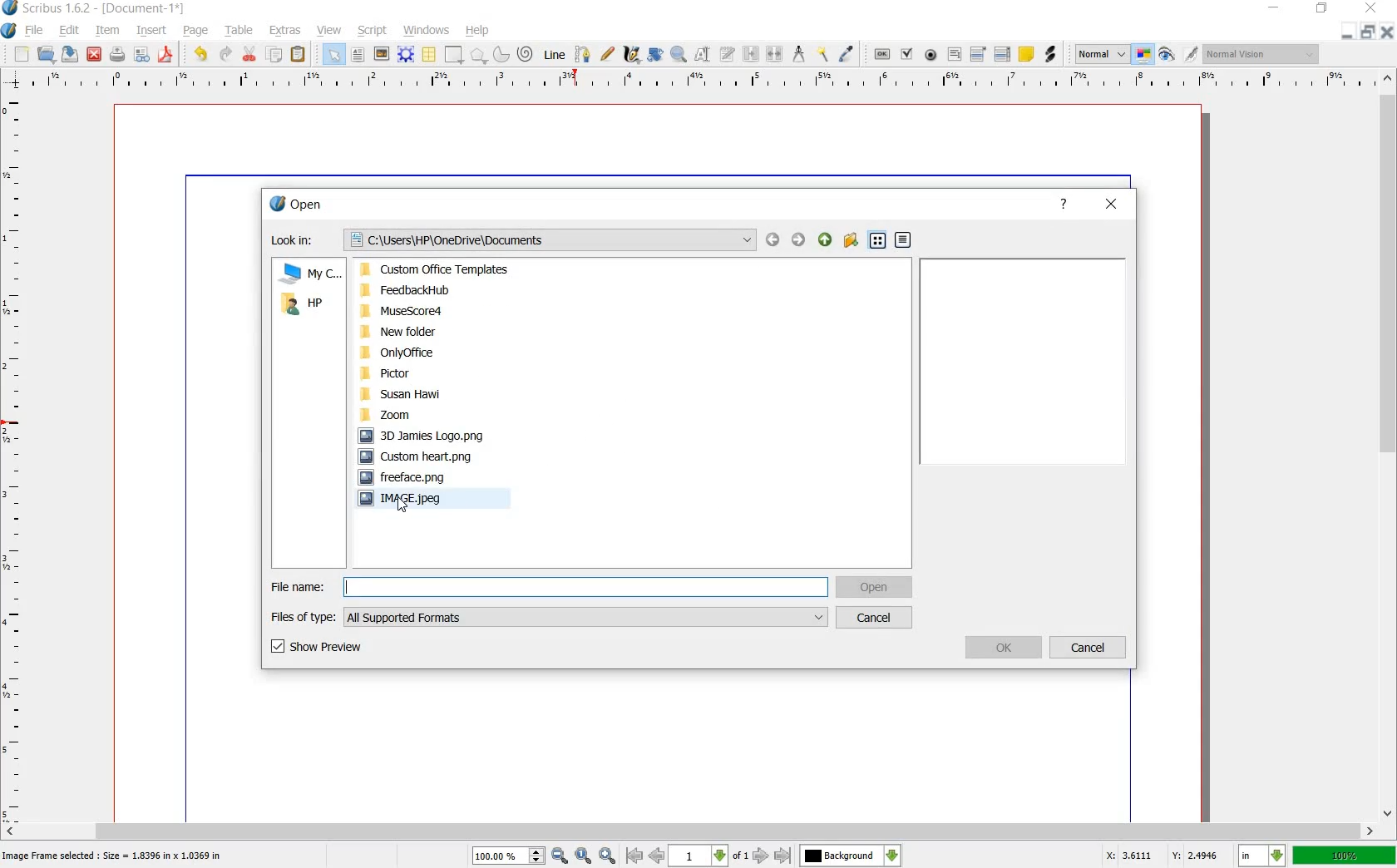 The image size is (1397, 868). I want to click on next page, so click(759, 856).